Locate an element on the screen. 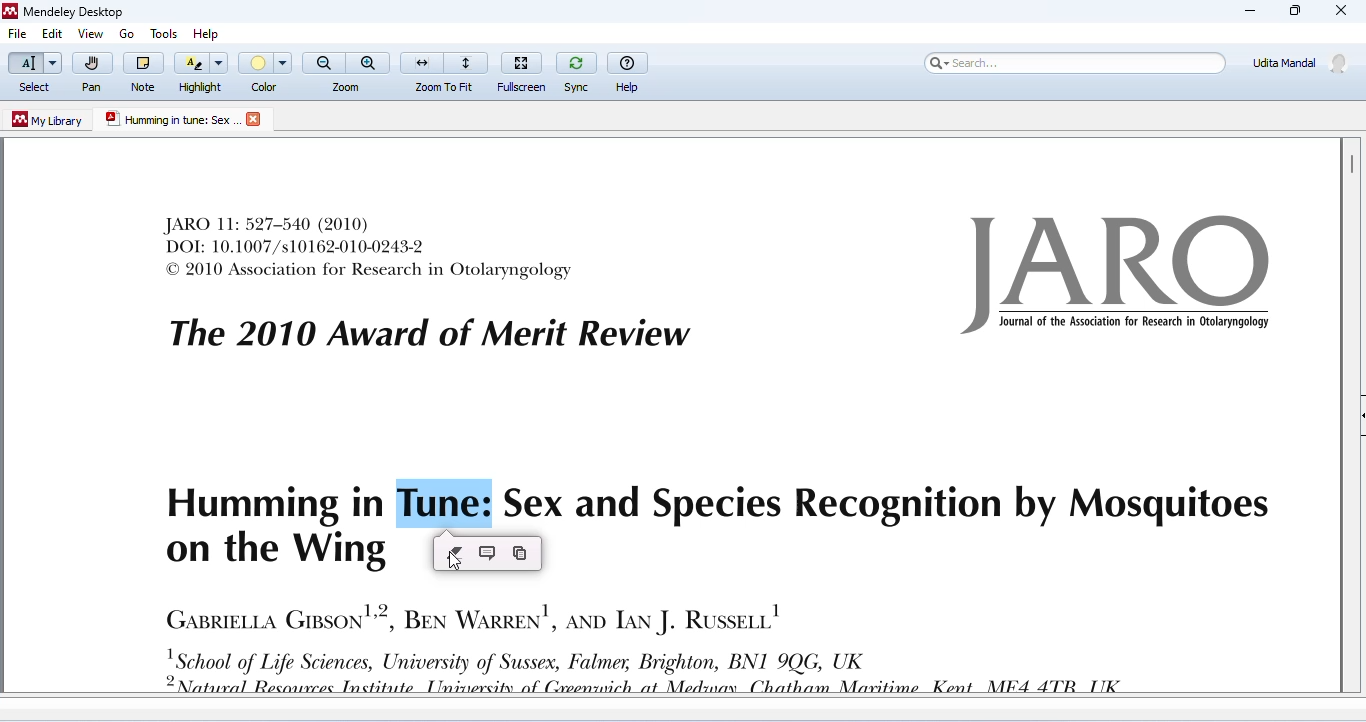  “School of Life Sciences, University of Sussex, Falmer, Brighton, BN1 9QG, UK is located at coordinates (662, 671).